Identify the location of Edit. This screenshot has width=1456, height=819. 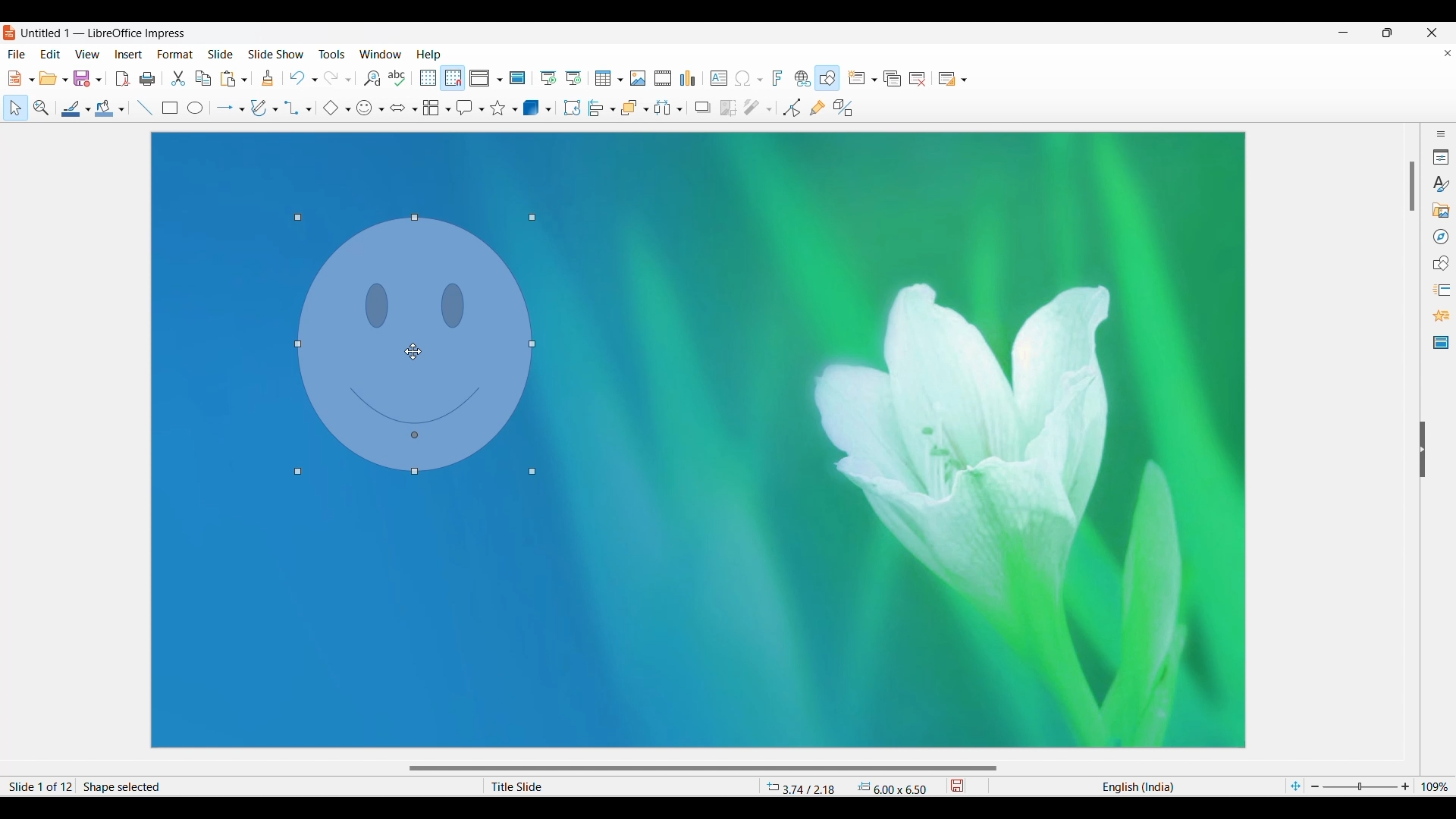
(50, 53).